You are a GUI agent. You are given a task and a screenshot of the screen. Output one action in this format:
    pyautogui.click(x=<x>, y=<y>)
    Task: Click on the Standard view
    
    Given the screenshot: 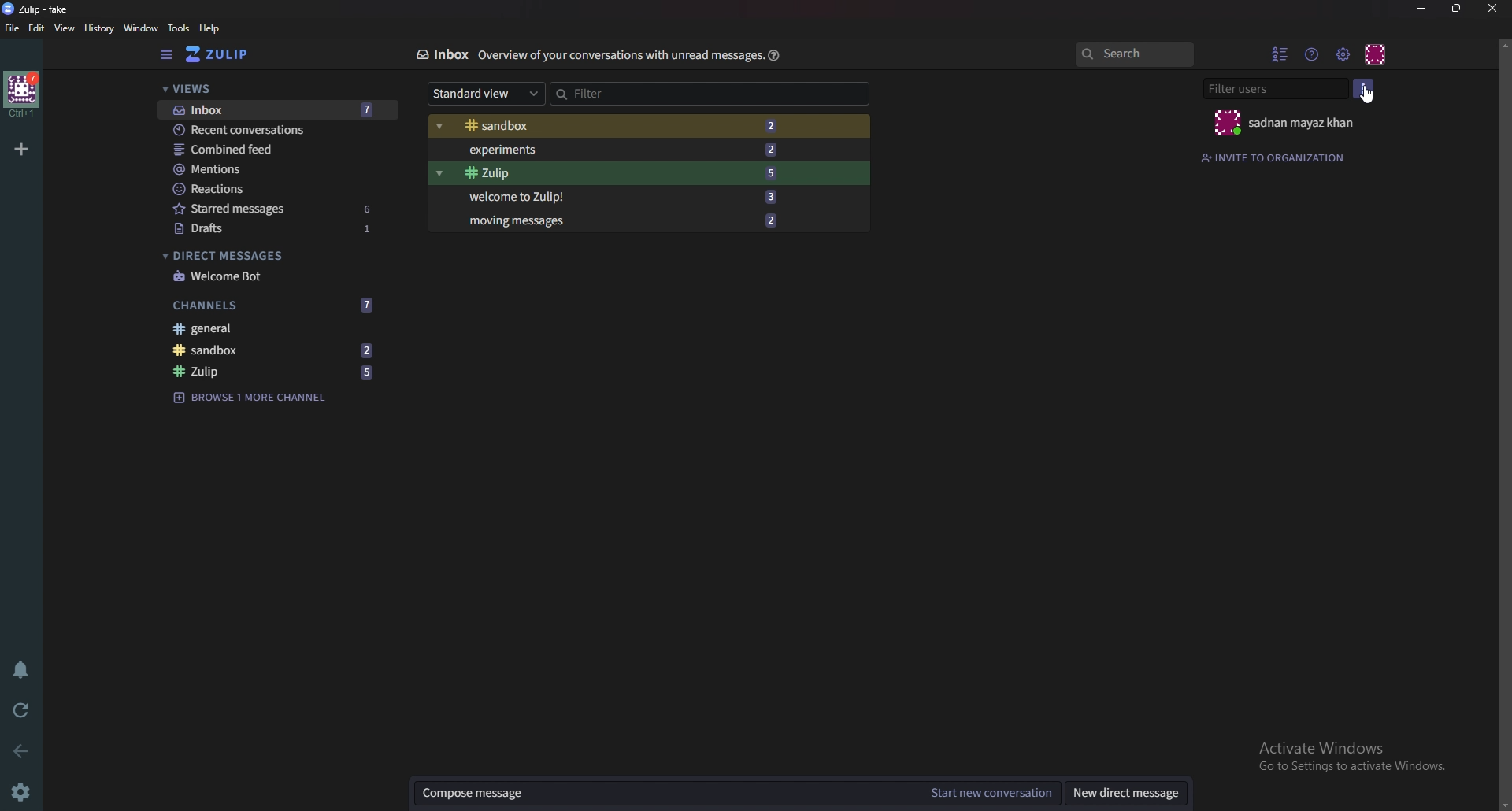 What is the action you would take?
    pyautogui.click(x=487, y=94)
    